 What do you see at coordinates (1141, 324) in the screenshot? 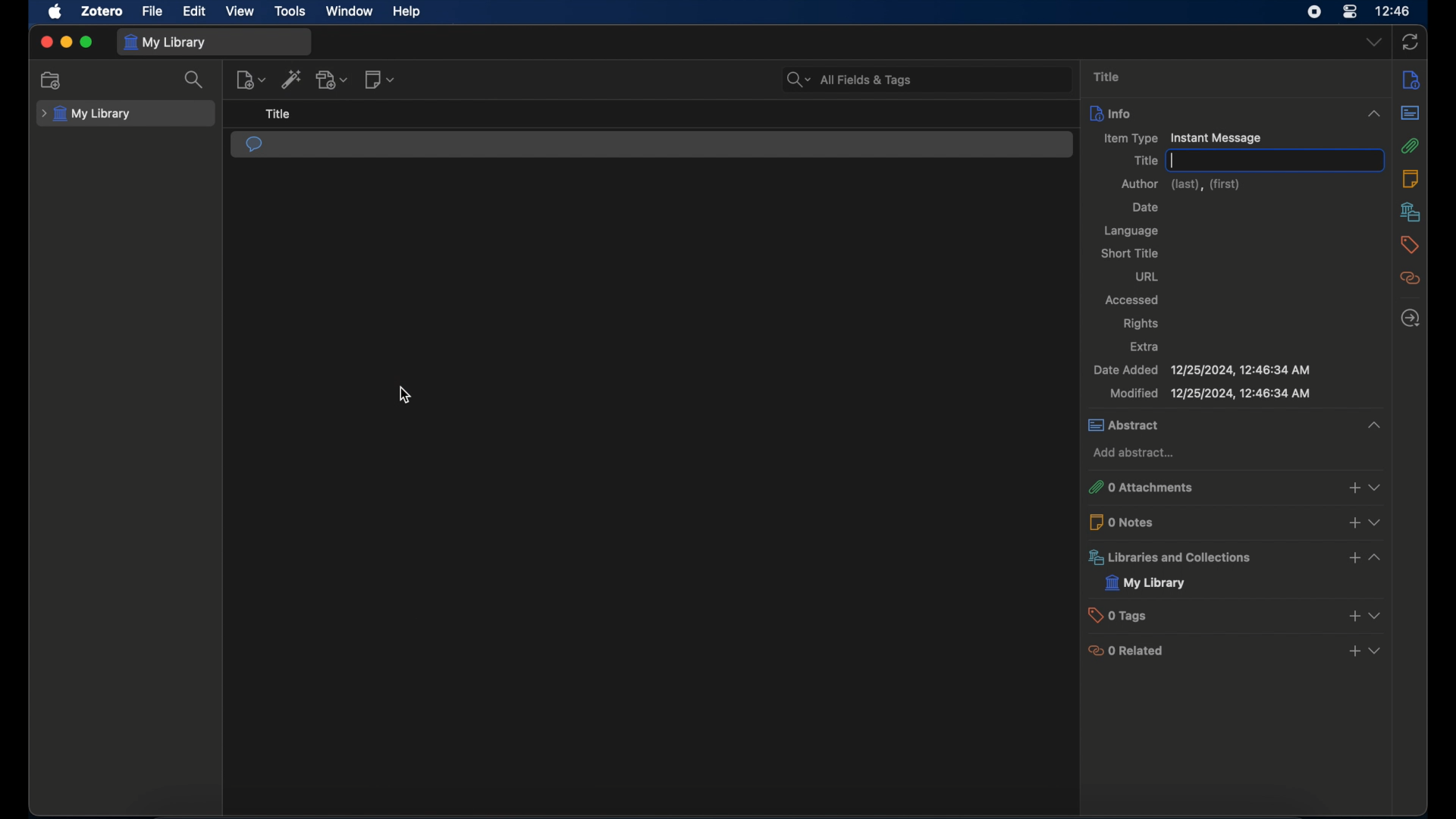
I see `rights` at bounding box center [1141, 324].